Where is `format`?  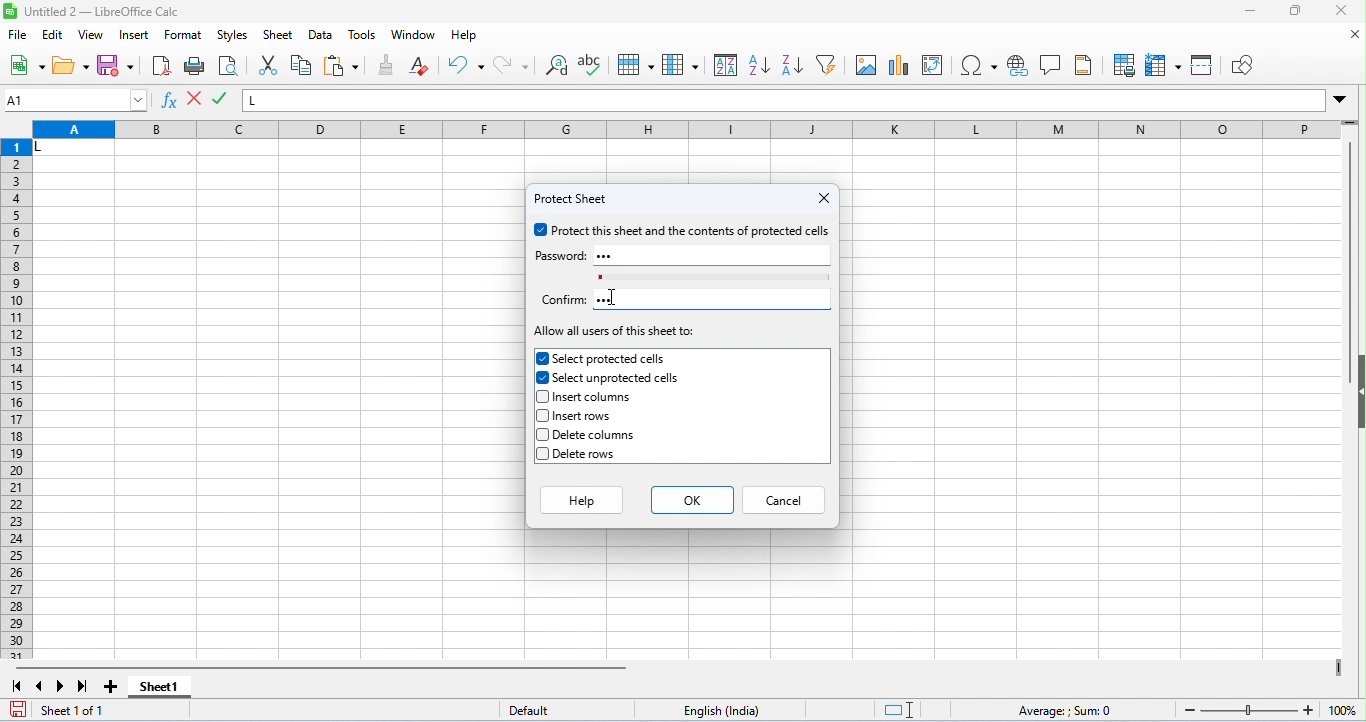 format is located at coordinates (185, 37).